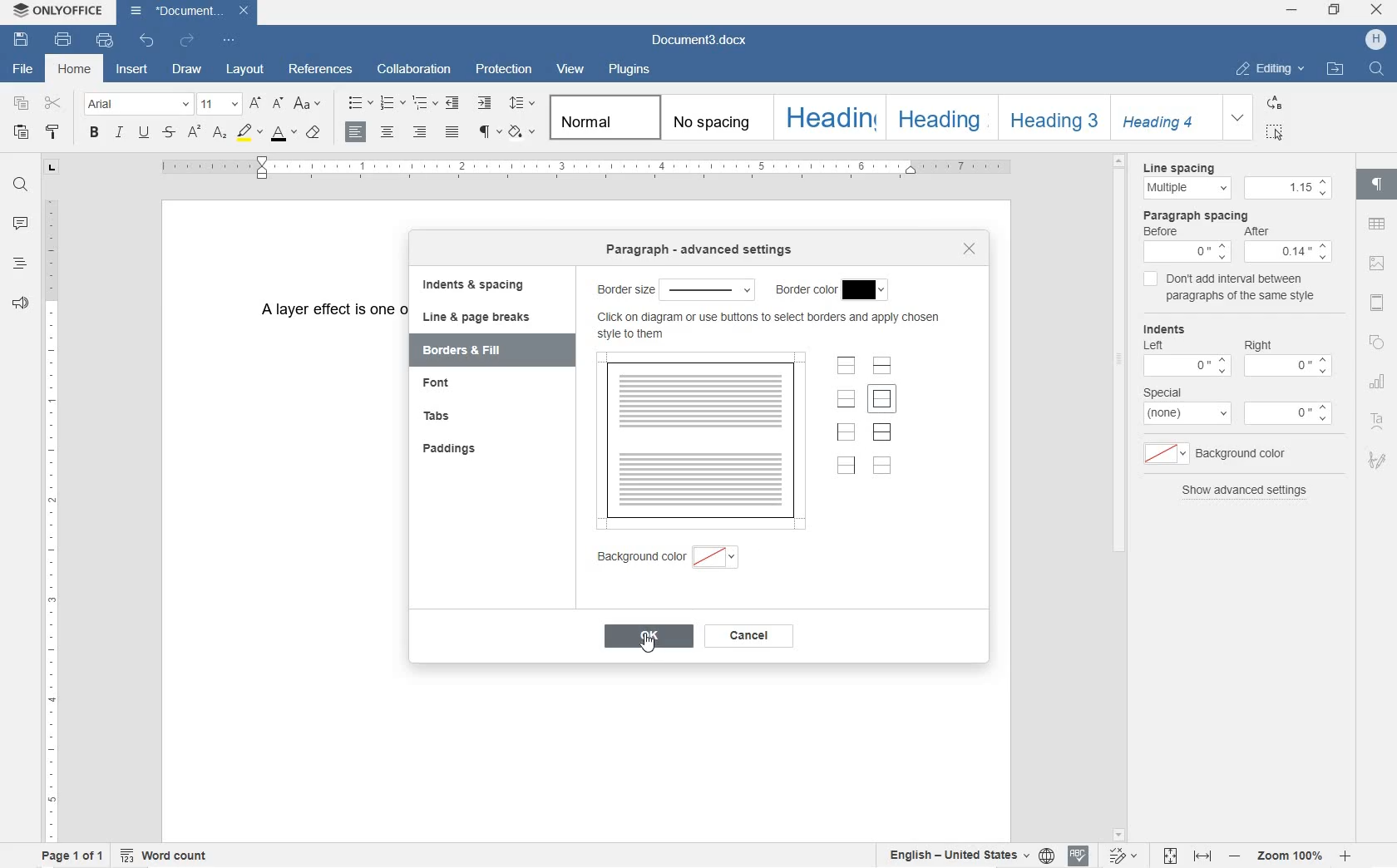  Describe the element at coordinates (1187, 351) in the screenshot. I see `Indents Left` at that location.